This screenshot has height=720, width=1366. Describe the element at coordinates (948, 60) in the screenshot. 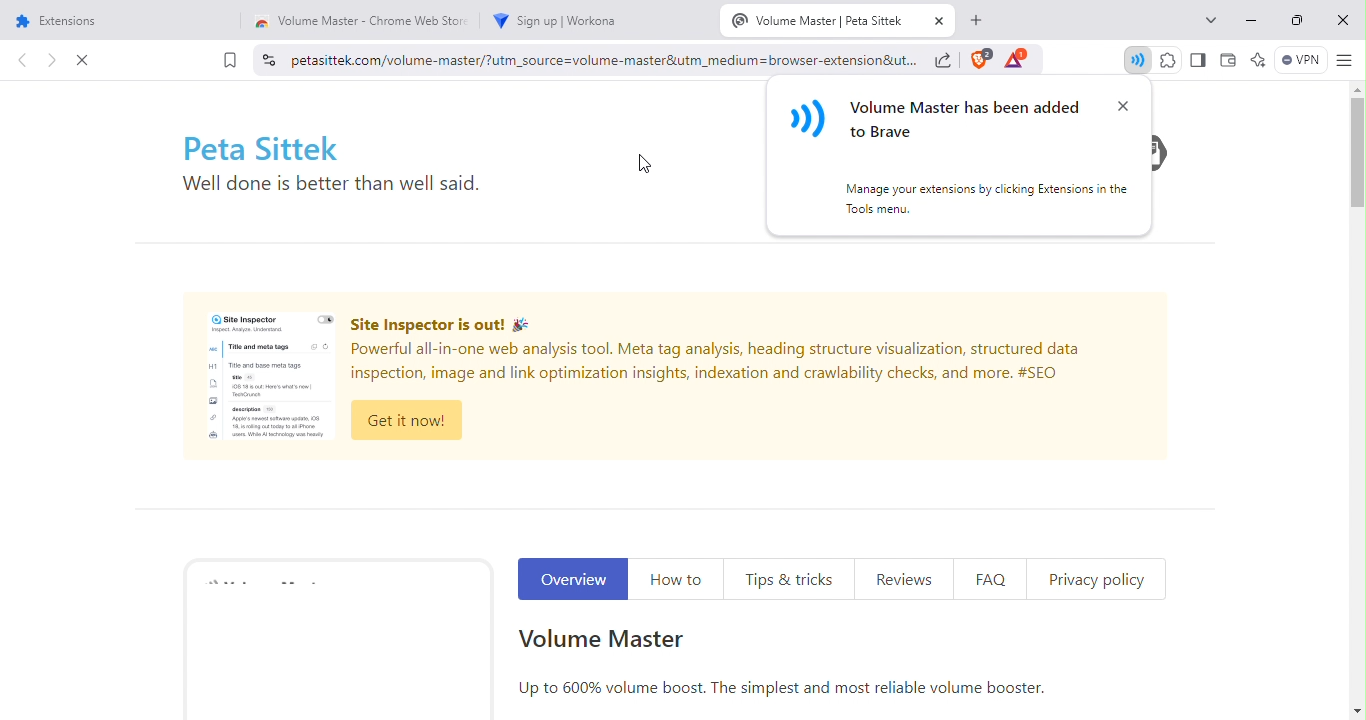

I see `share this page` at that location.